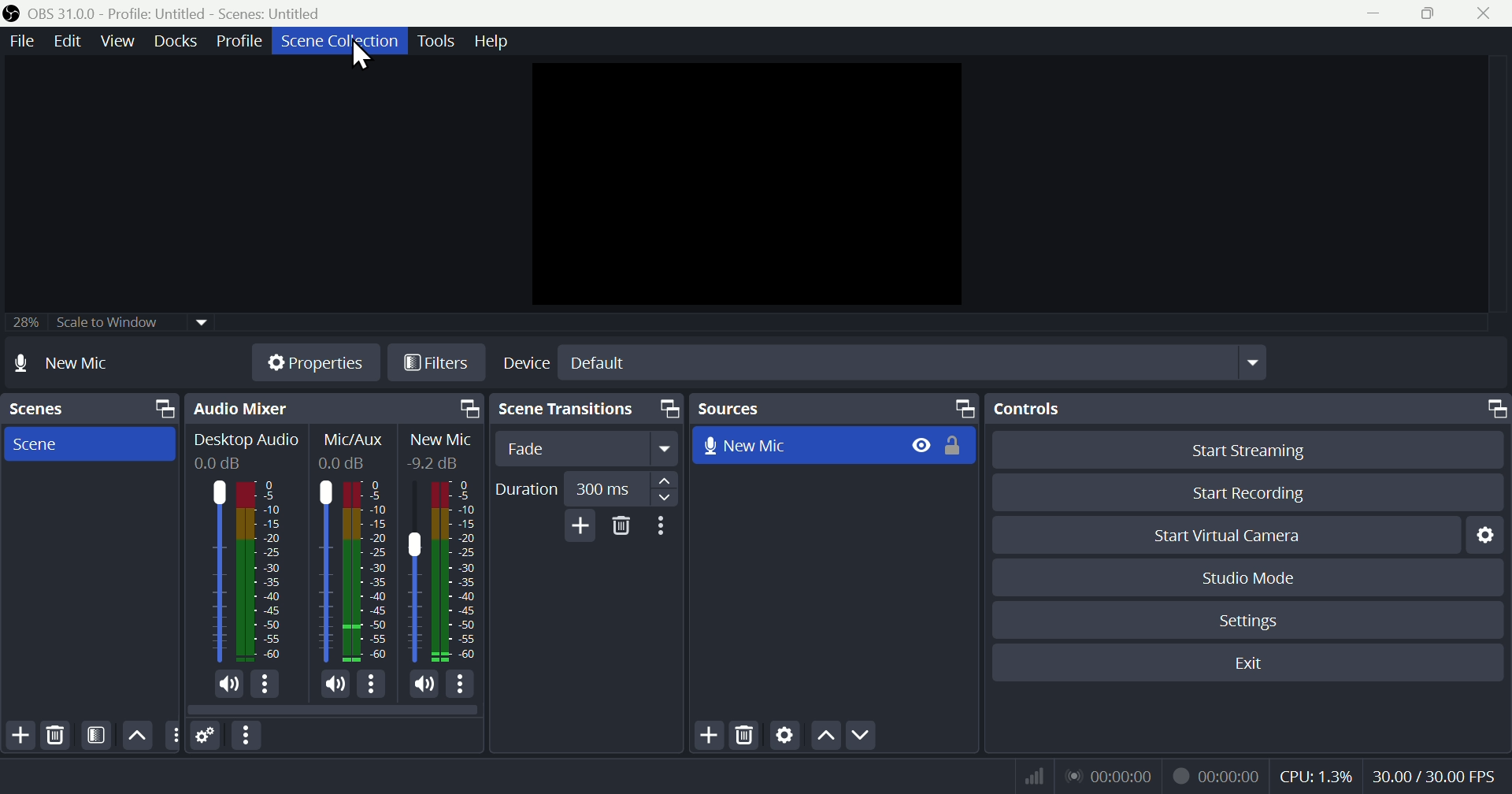  I want to click on View, so click(113, 45).